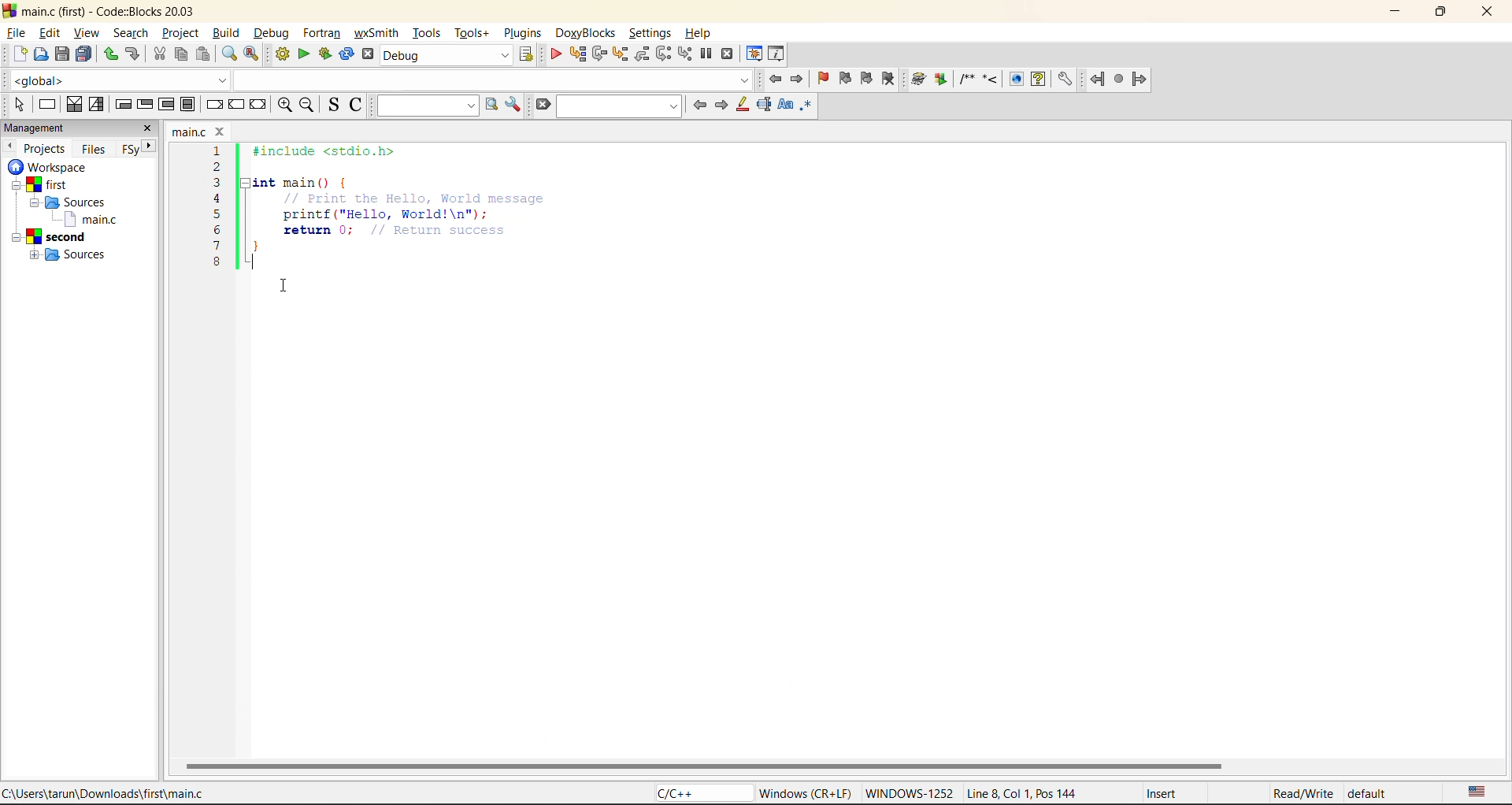 This screenshot has height=805, width=1512. What do you see at coordinates (83, 202) in the screenshot?
I see `Sources` at bounding box center [83, 202].